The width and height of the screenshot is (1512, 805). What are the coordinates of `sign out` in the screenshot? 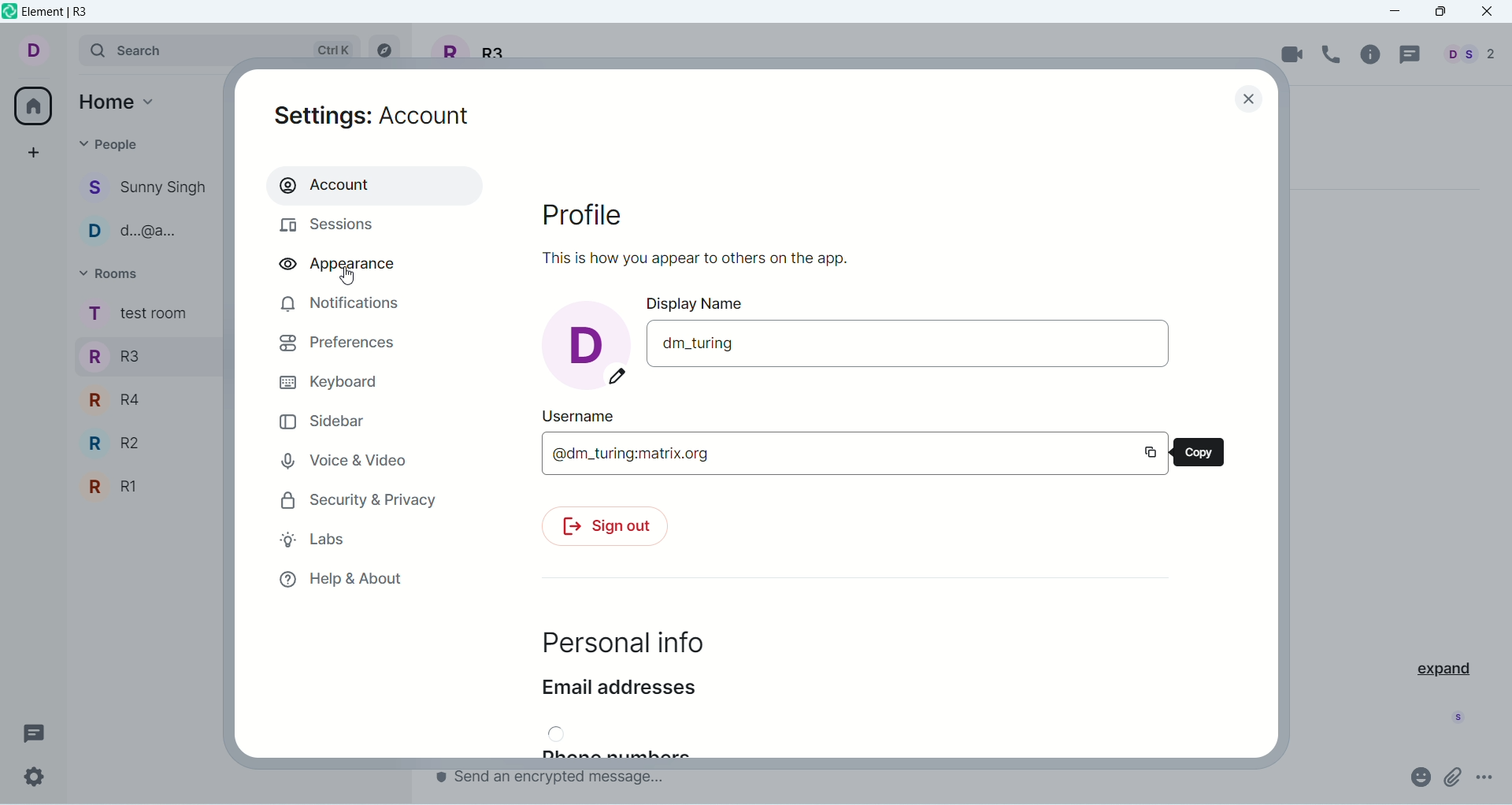 It's located at (603, 529).